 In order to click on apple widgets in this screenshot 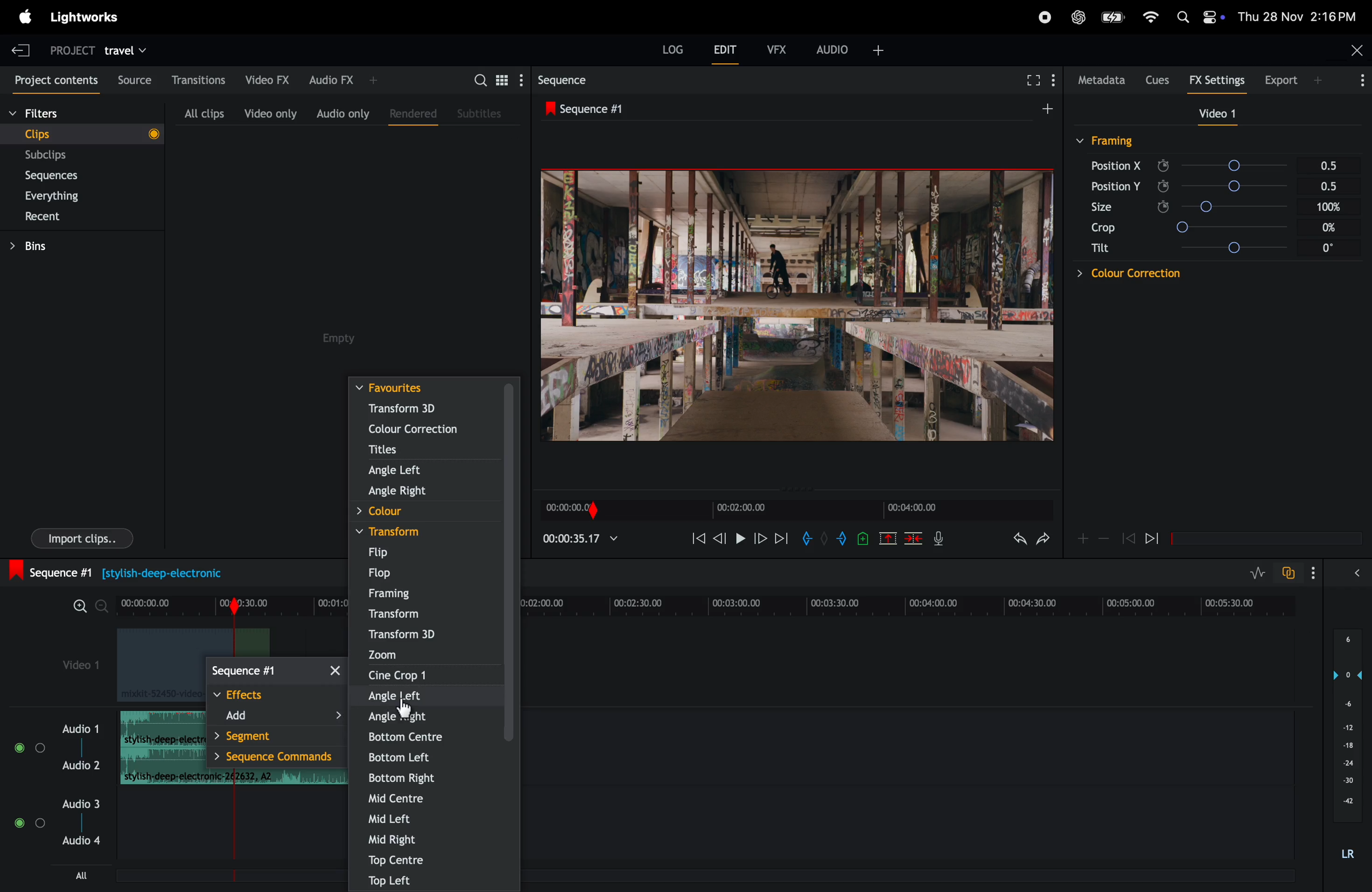, I will do `click(1198, 14)`.